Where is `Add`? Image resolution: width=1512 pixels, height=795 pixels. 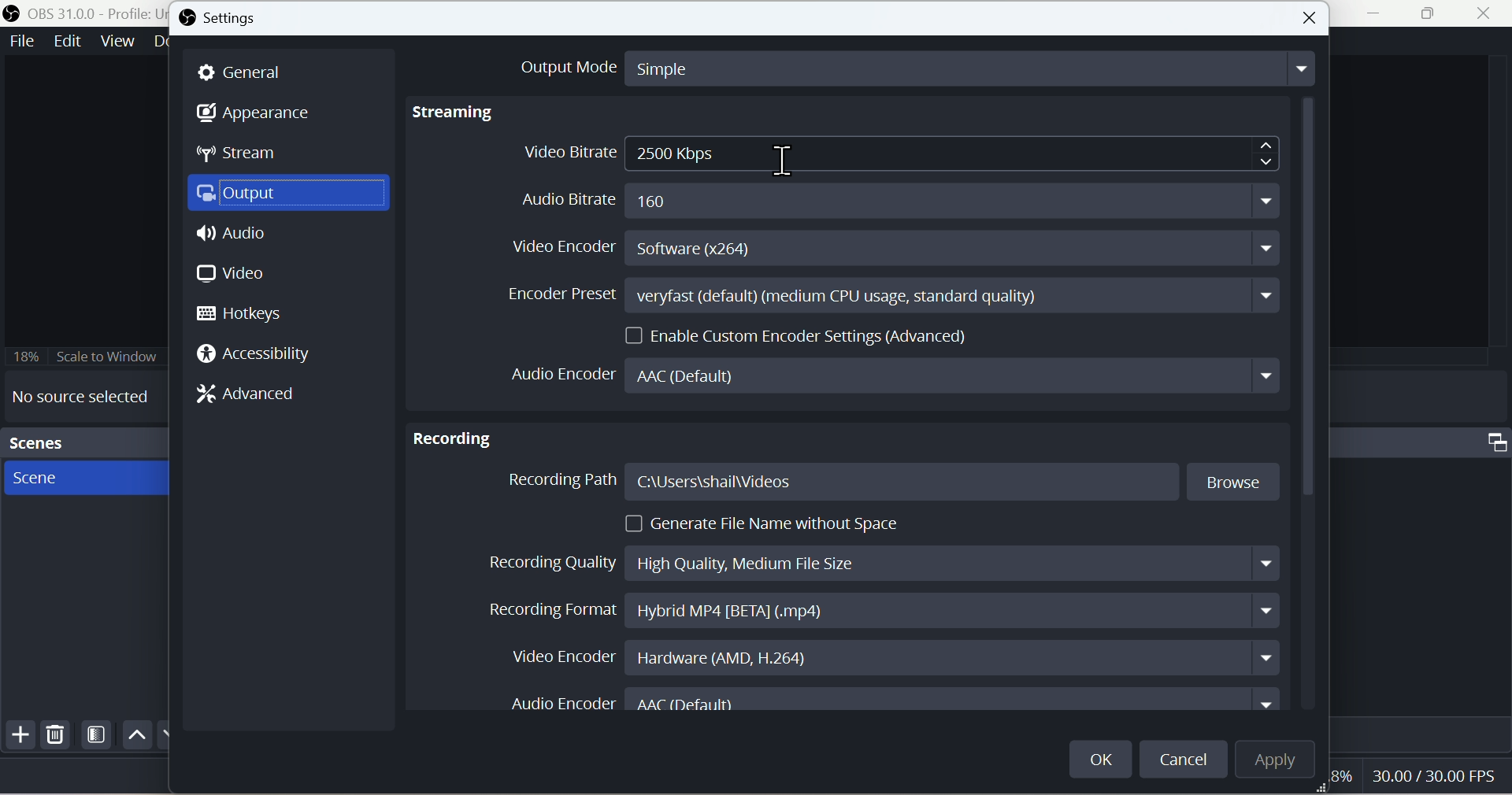 Add is located at coordinates (18, 738).